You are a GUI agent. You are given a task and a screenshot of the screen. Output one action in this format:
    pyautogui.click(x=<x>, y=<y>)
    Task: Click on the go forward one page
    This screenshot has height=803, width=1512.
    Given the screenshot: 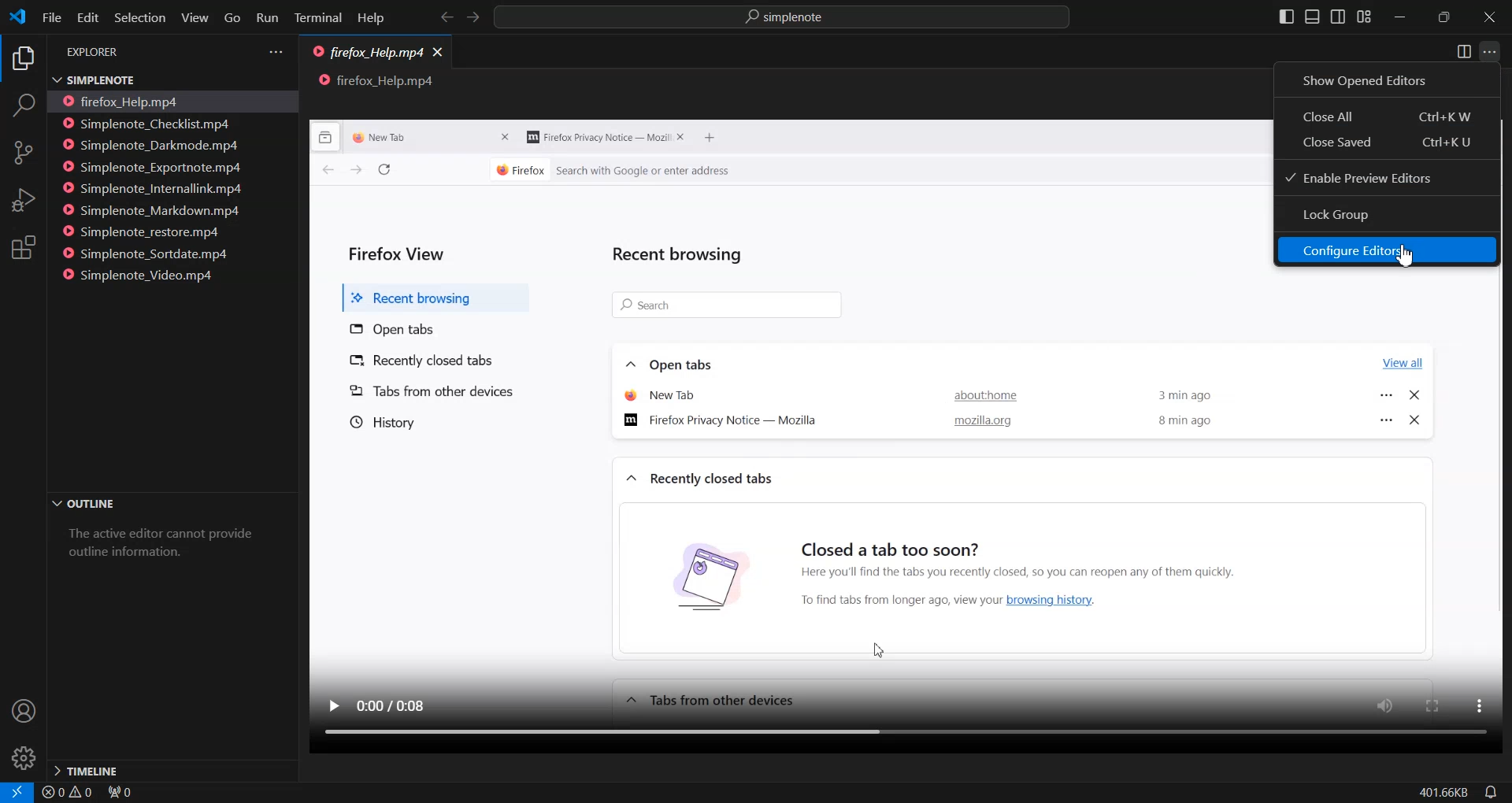 What is the action you would take?
    pyautogui.click(x=355, y=172)
    